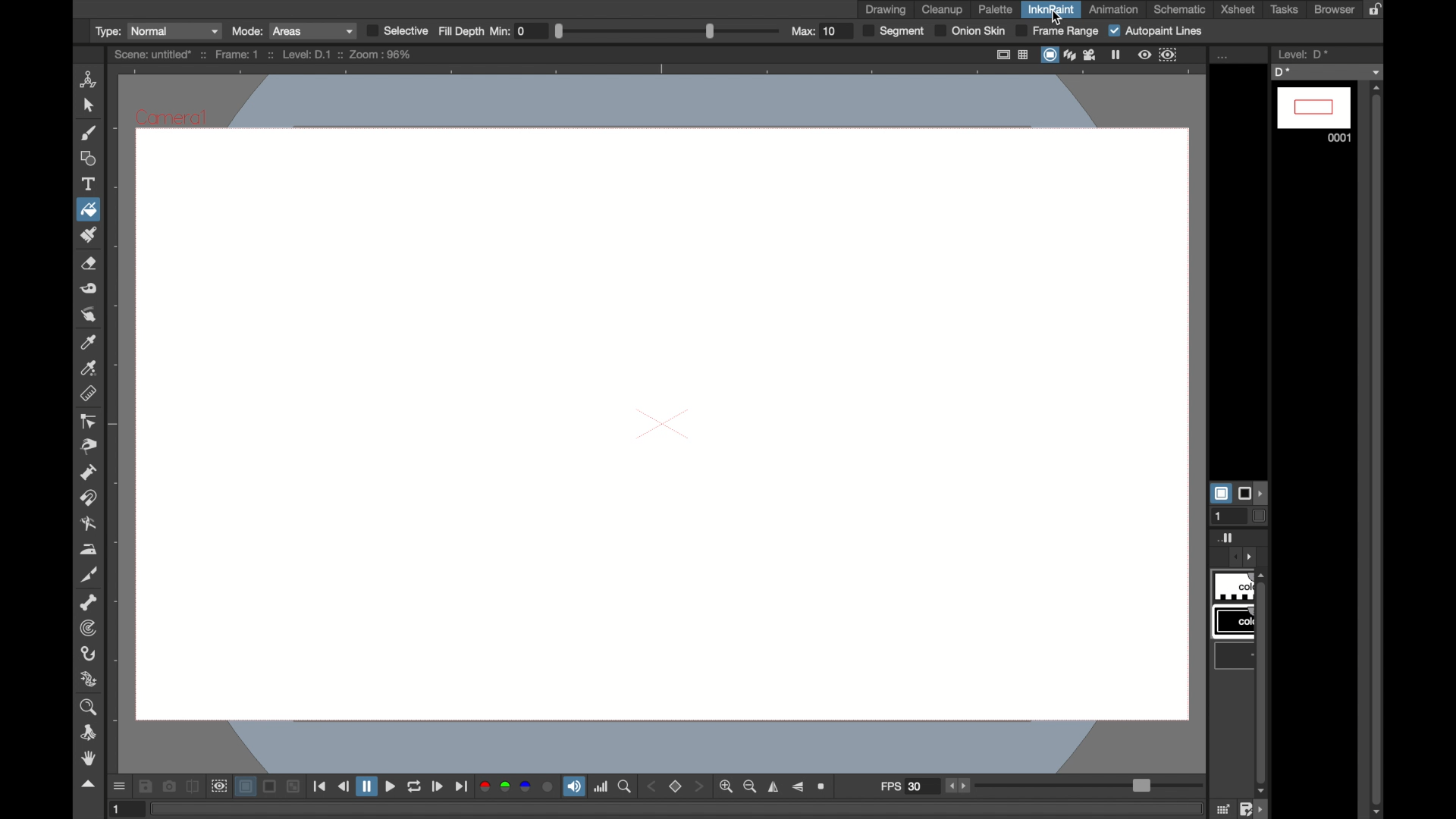 This screenshot has height=819, width=1456. I want to click on schematic, so click(1180, 9).